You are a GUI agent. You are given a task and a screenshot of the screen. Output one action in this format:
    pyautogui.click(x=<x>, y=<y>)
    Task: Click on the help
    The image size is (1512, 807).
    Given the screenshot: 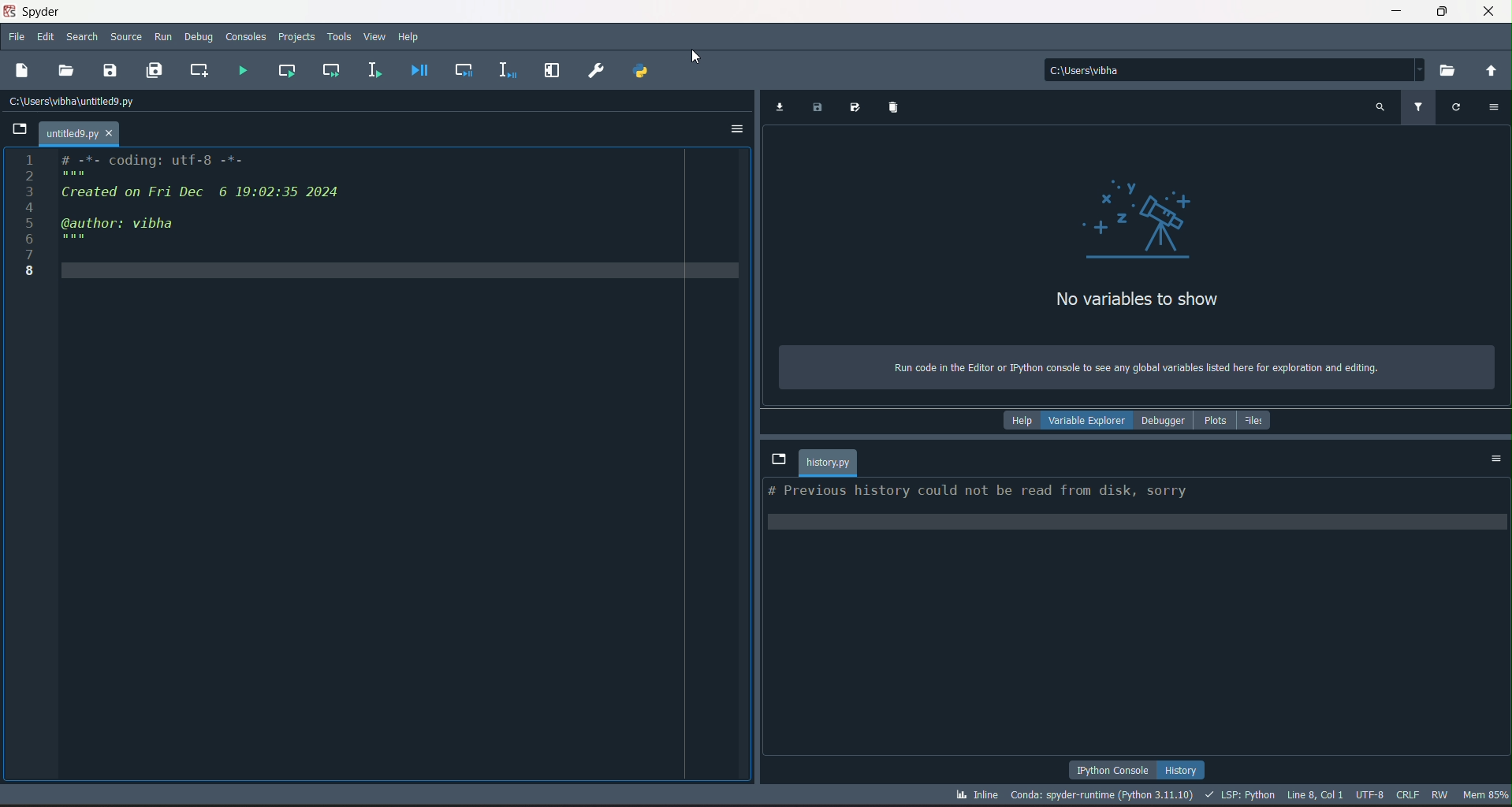 What is the action you would take?
    pyautogui.click(x=416, y=37)
    